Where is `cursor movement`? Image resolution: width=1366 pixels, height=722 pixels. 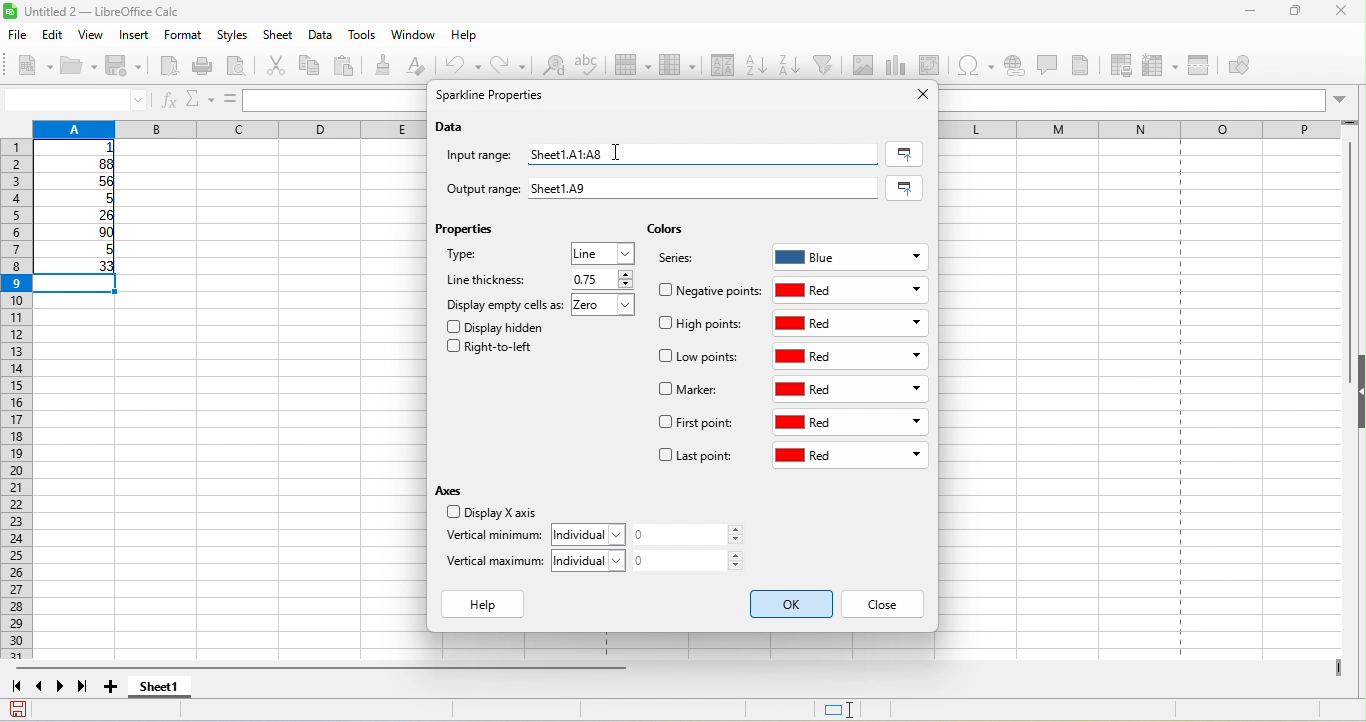 cursor movement is located at coordinates (619, 150).